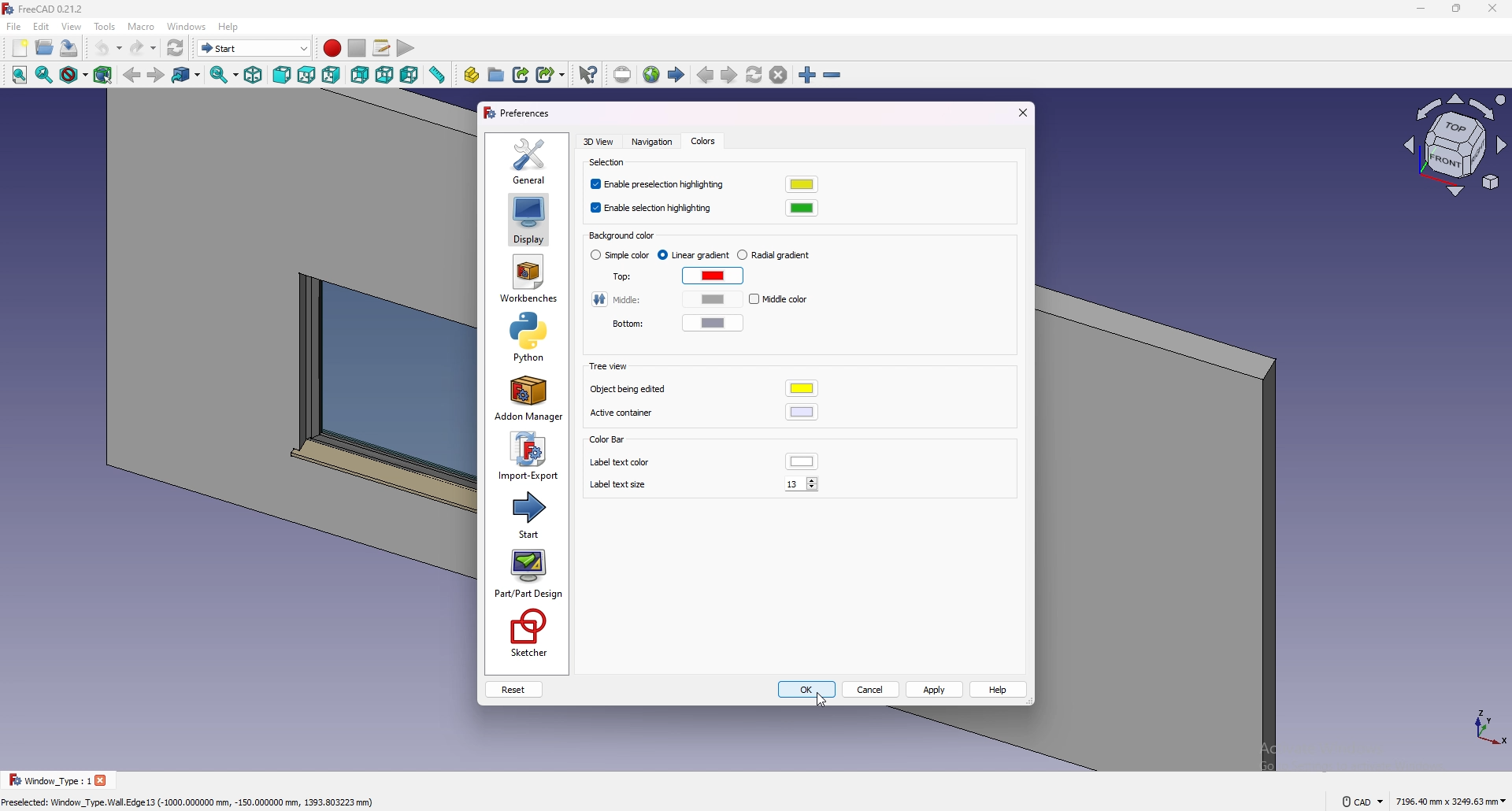  I want to click on back, so click(132, 76).